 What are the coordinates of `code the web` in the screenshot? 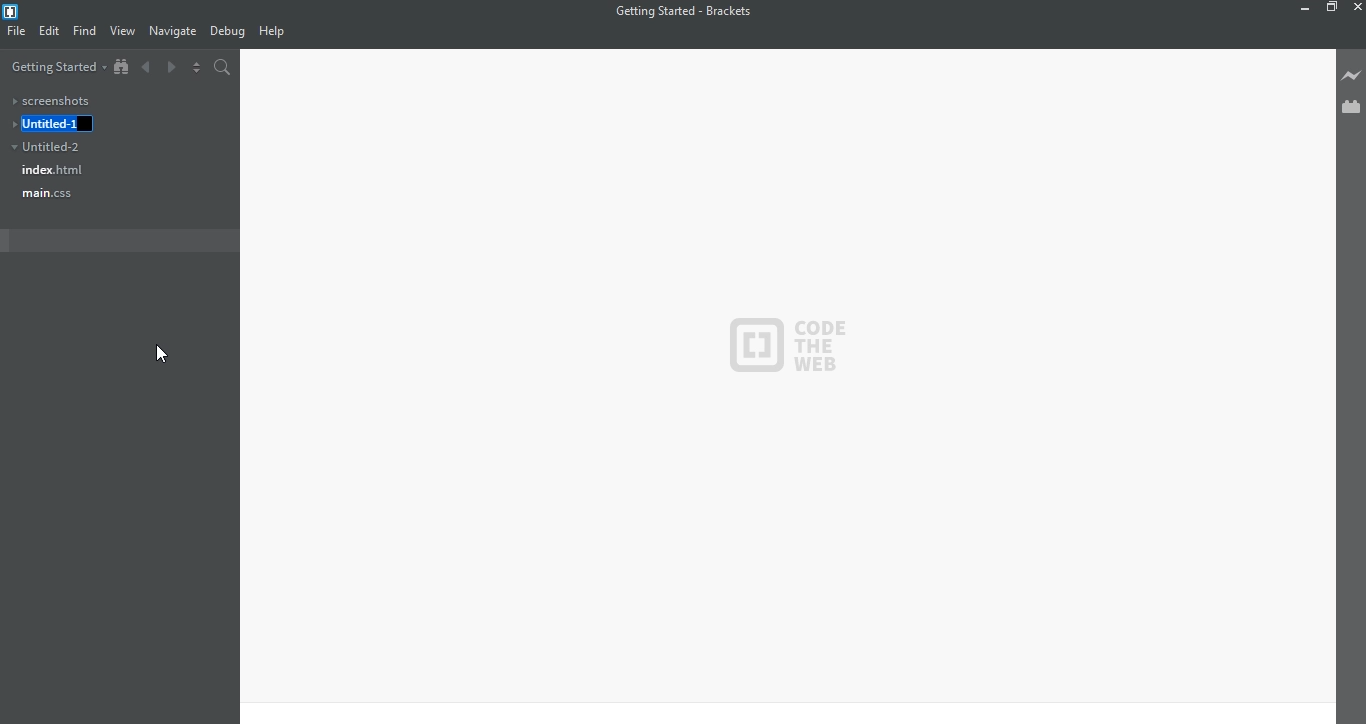 It's located at (790, 344).